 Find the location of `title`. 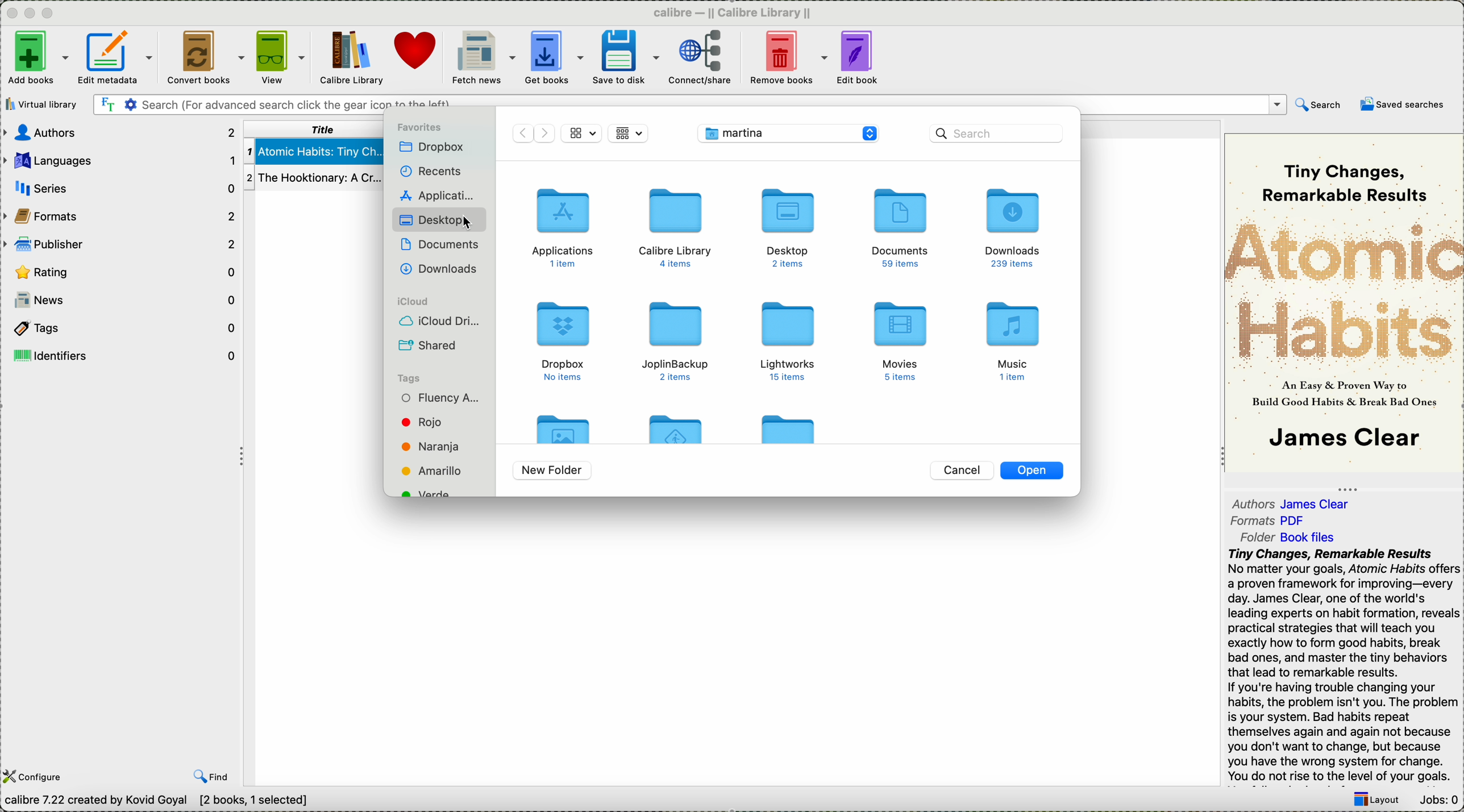

title is located at coordinates (317, 129).